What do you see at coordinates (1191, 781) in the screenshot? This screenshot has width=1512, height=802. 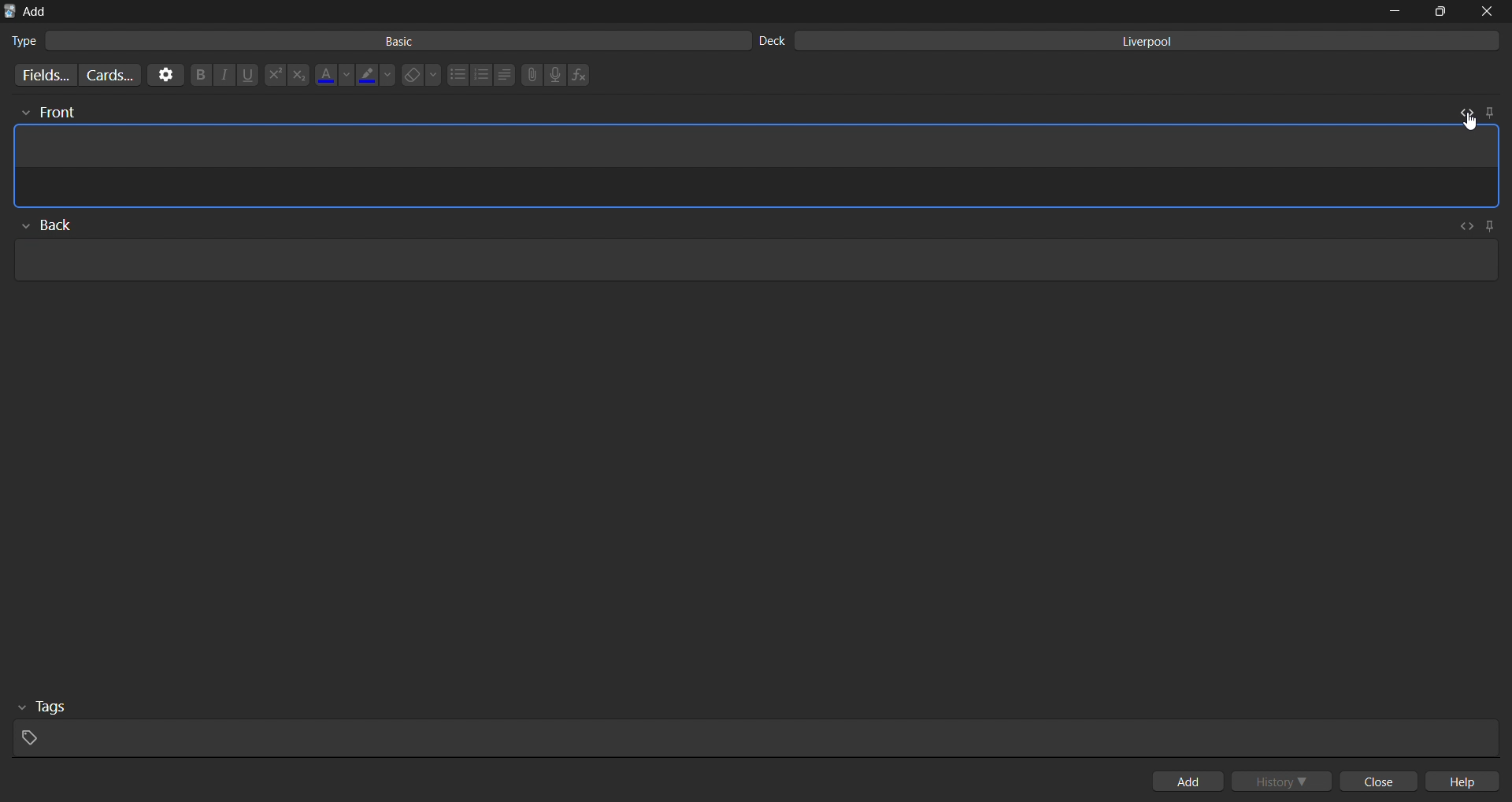 I see `add` at bounding box center [1191, 781].